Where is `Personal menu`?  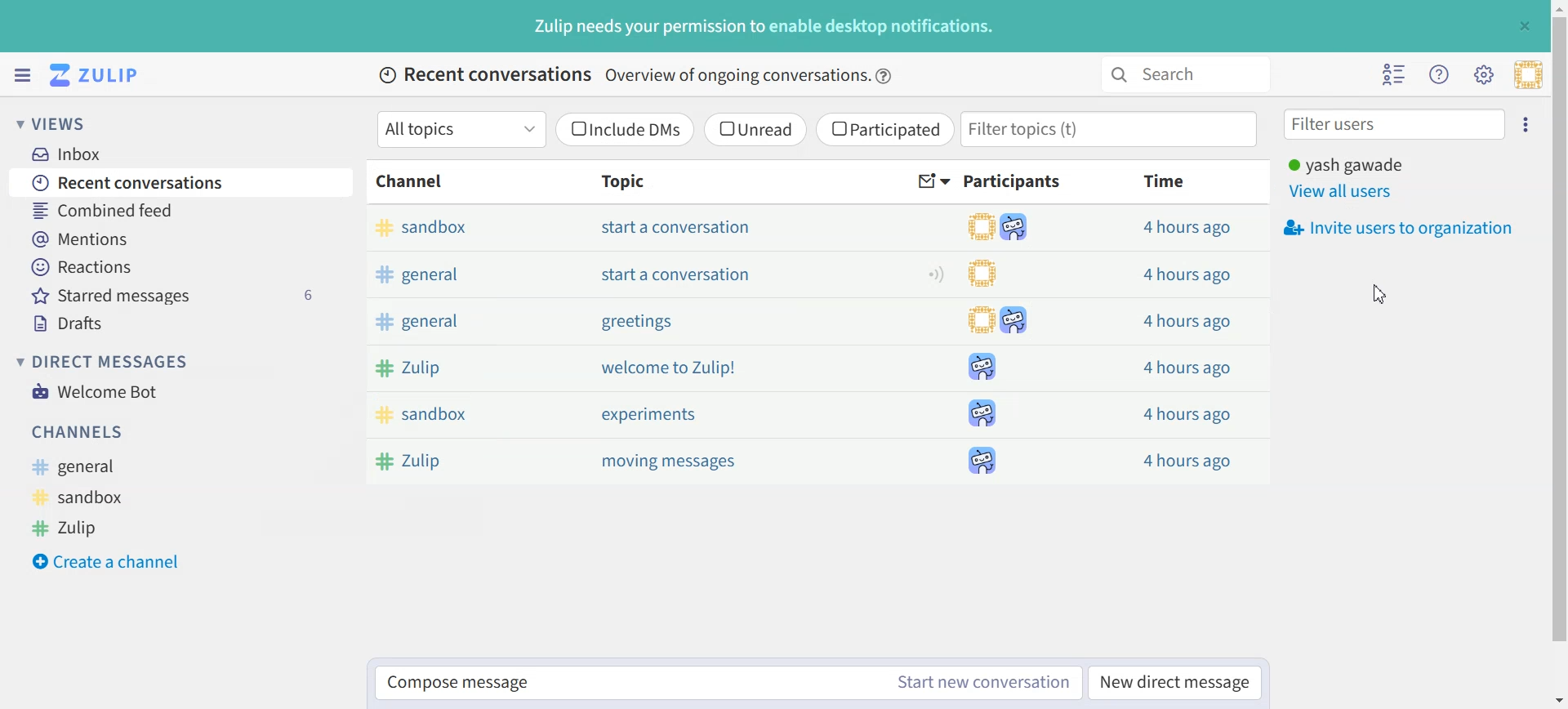 Personal menu is located at coordinates (1528, 74).